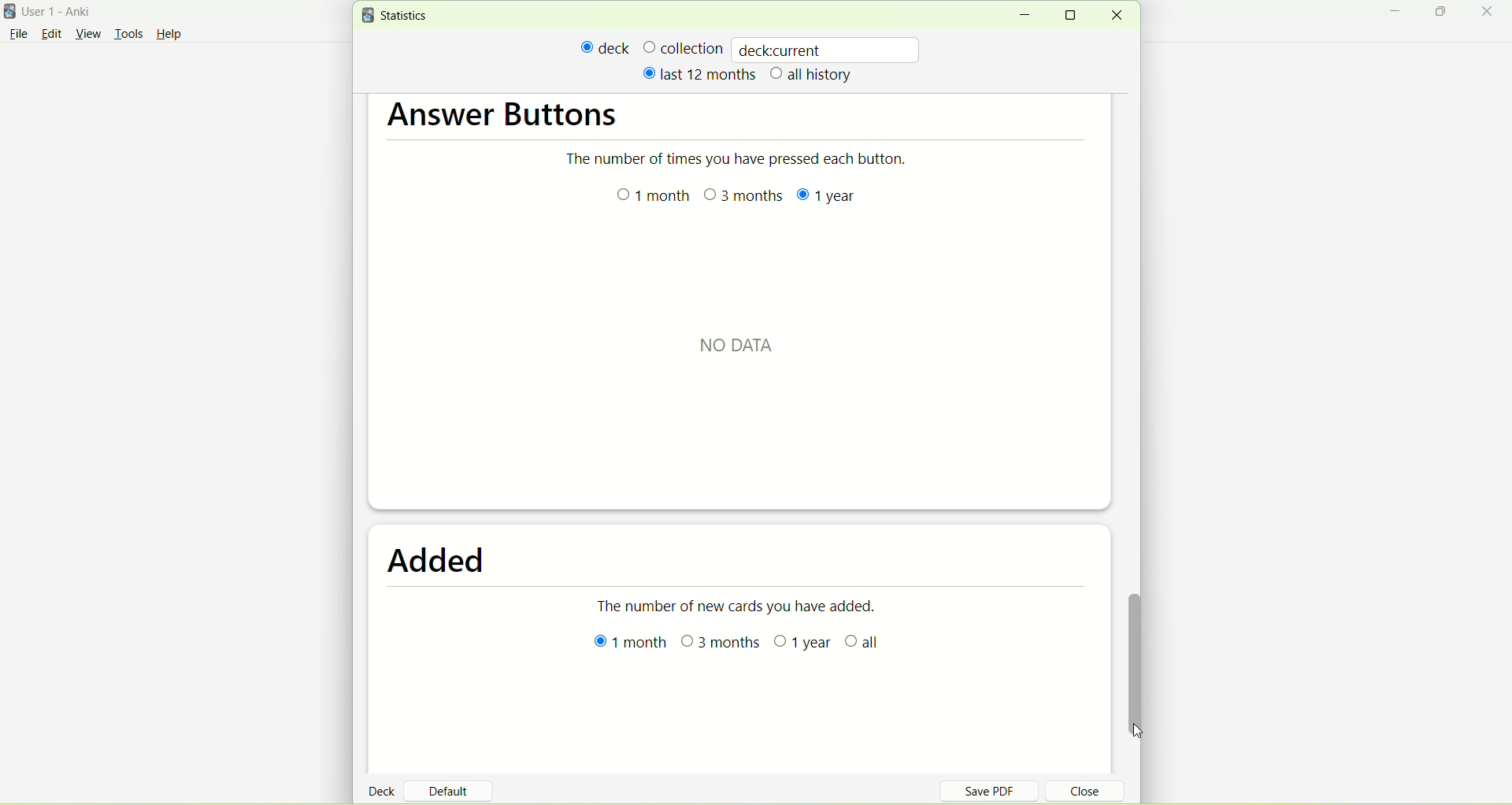 Image resolution: width=1512 pixels, height=805 pixels. What do you see at coordinates (1116, 16) in the screenshot?
I see `close` at bounding box center [1116, 16].